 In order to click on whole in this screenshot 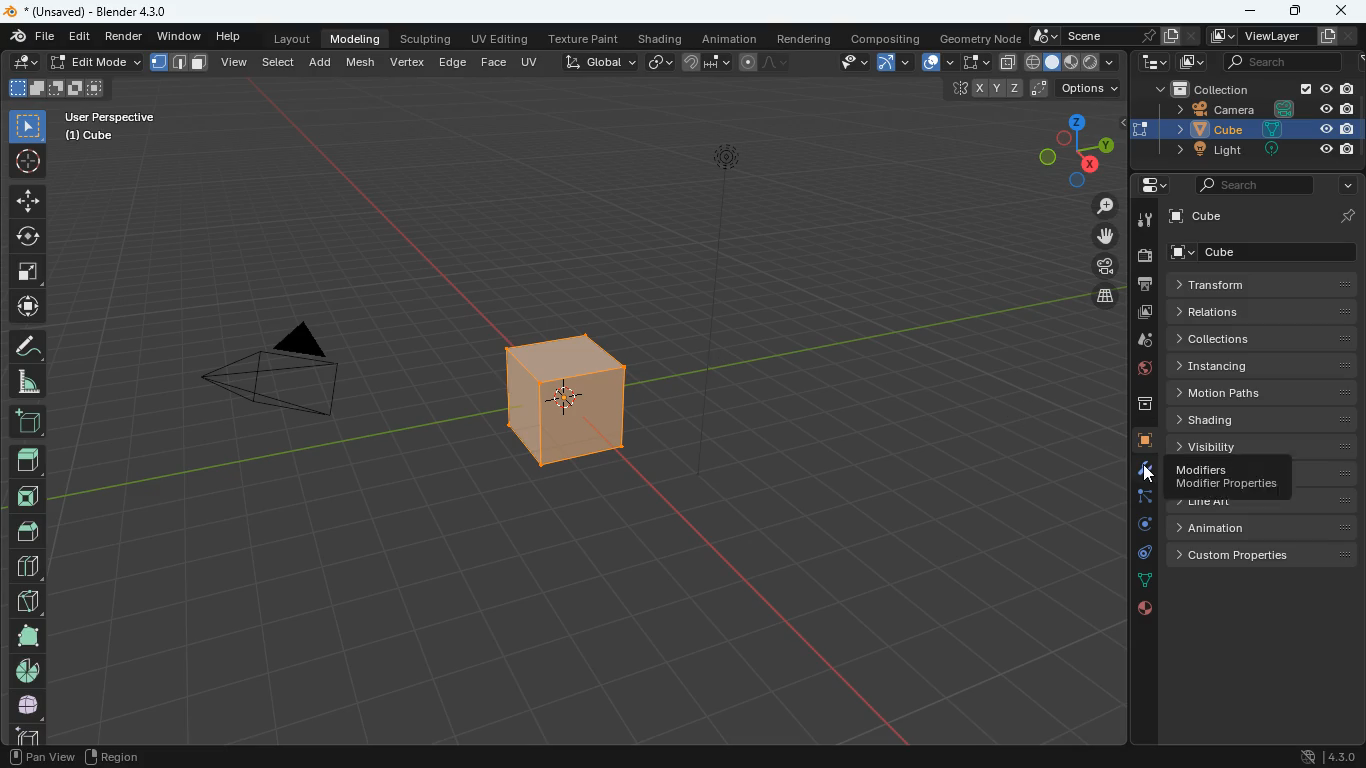, I will do `click(28, 708)`.